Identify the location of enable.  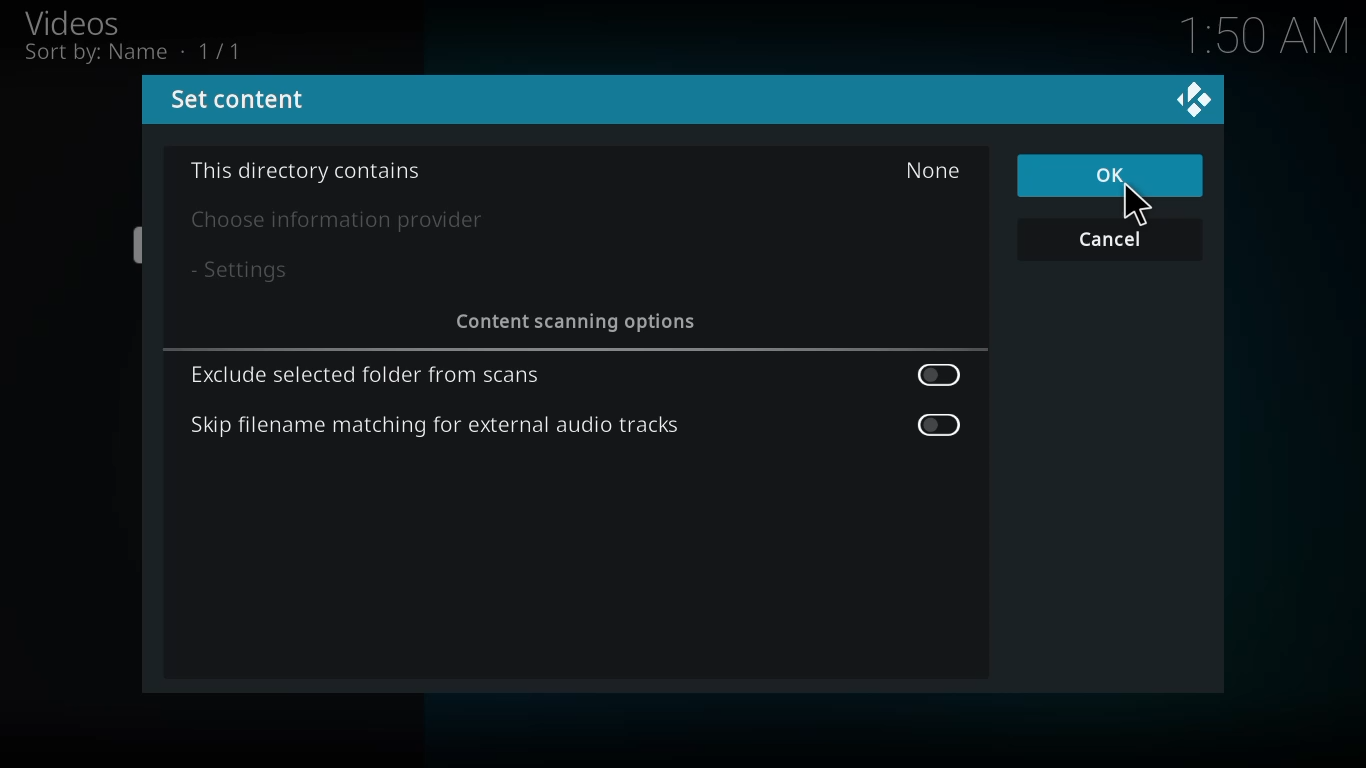
(942, 424).